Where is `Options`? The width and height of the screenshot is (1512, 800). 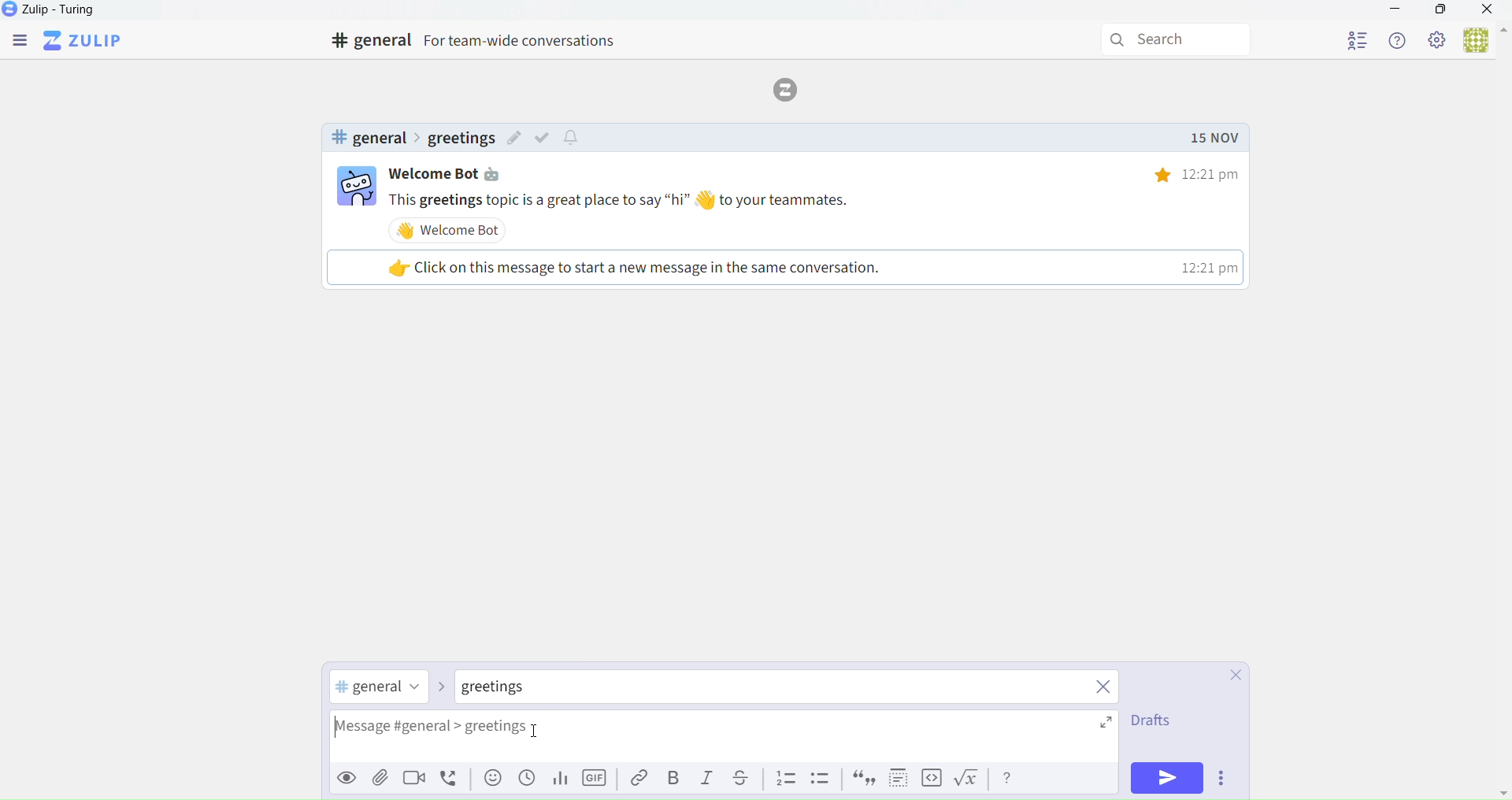
Options is located at coordinates (1225, 780).